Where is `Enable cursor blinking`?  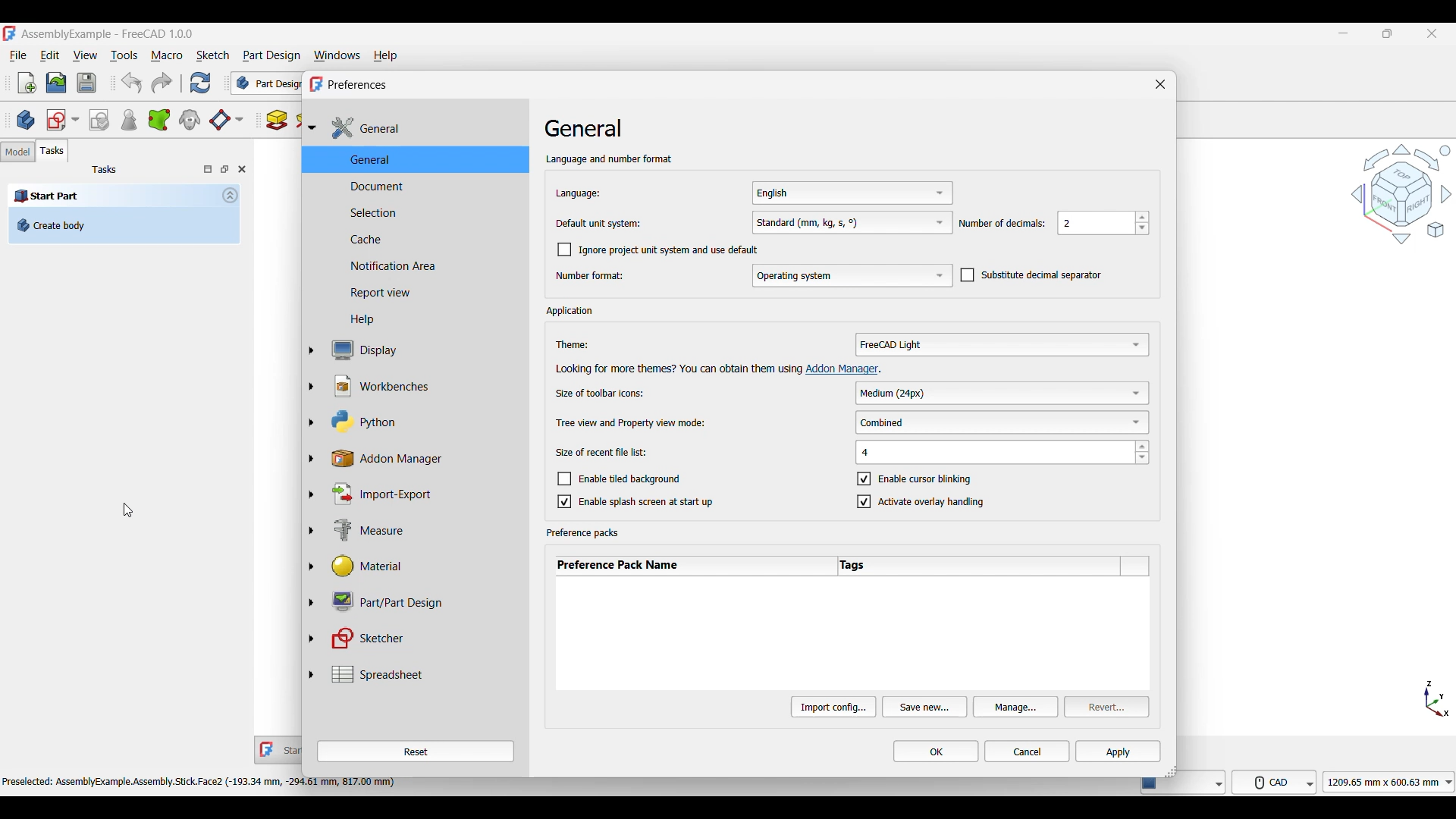
Enable cursor blinking is located at coordinates (915, 479).